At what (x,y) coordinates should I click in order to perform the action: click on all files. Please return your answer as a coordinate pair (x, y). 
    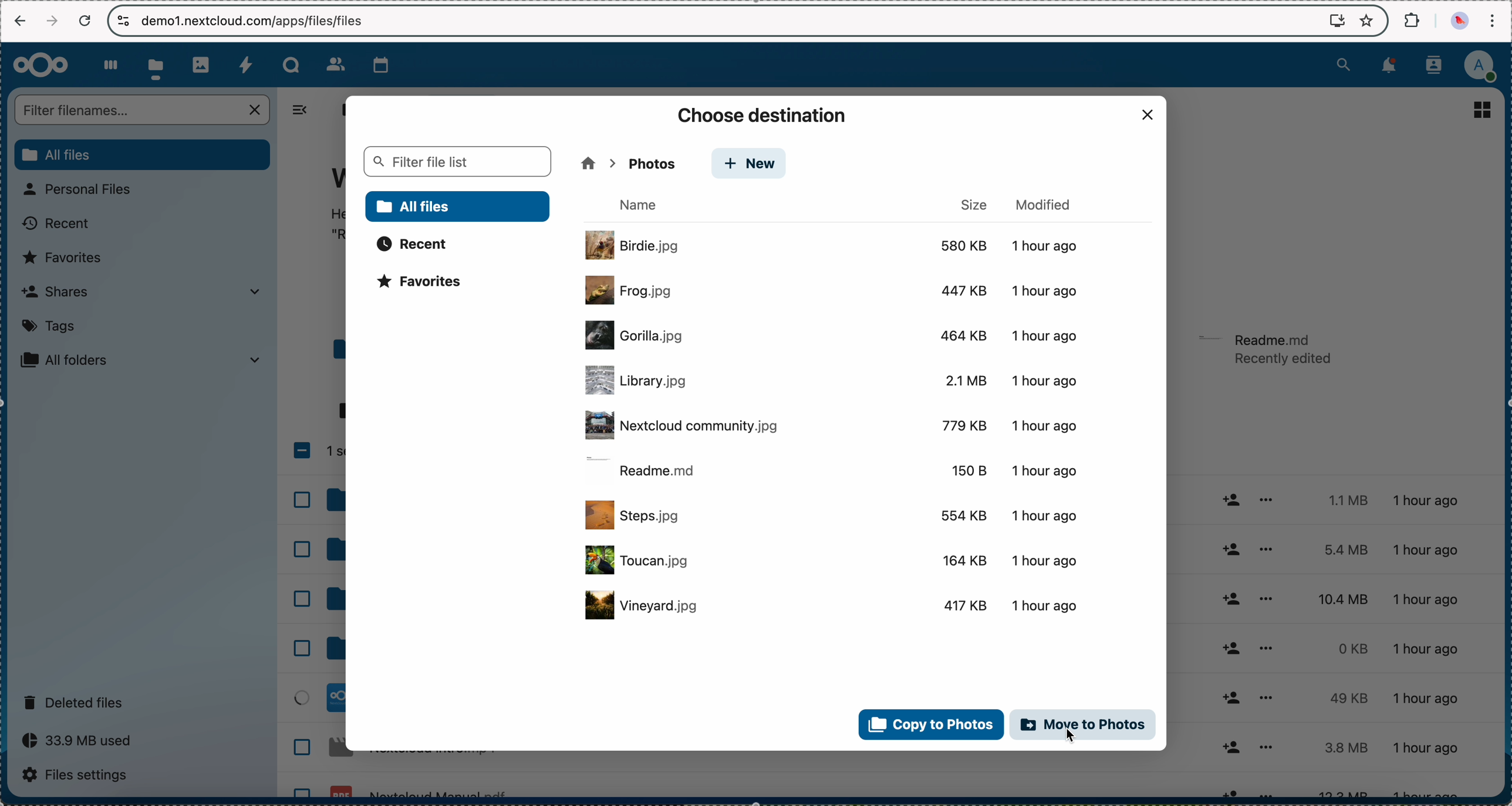
    Looking at the image, I should click on (339, 109).